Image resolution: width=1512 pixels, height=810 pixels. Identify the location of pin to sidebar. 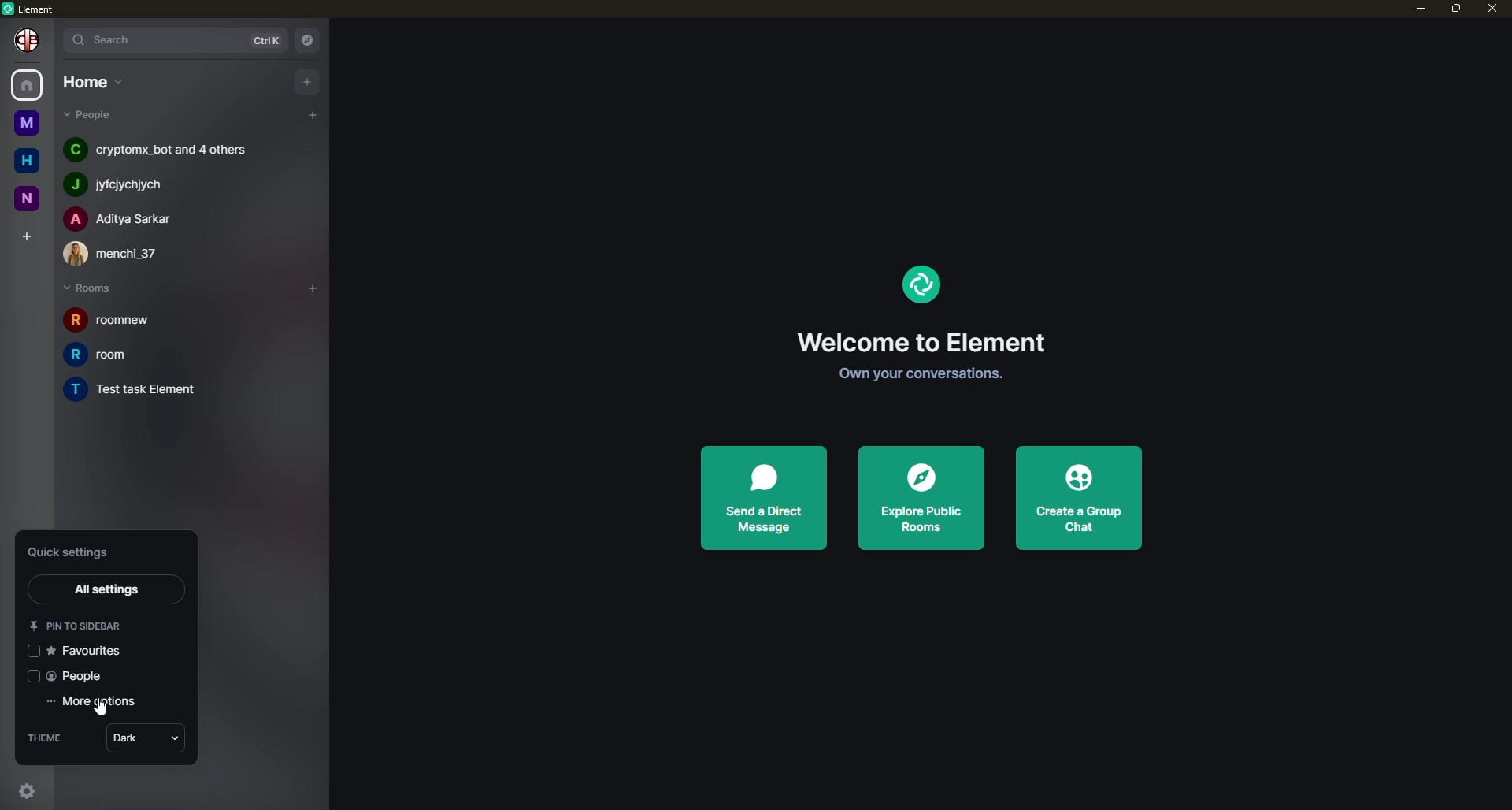
(76, 625).